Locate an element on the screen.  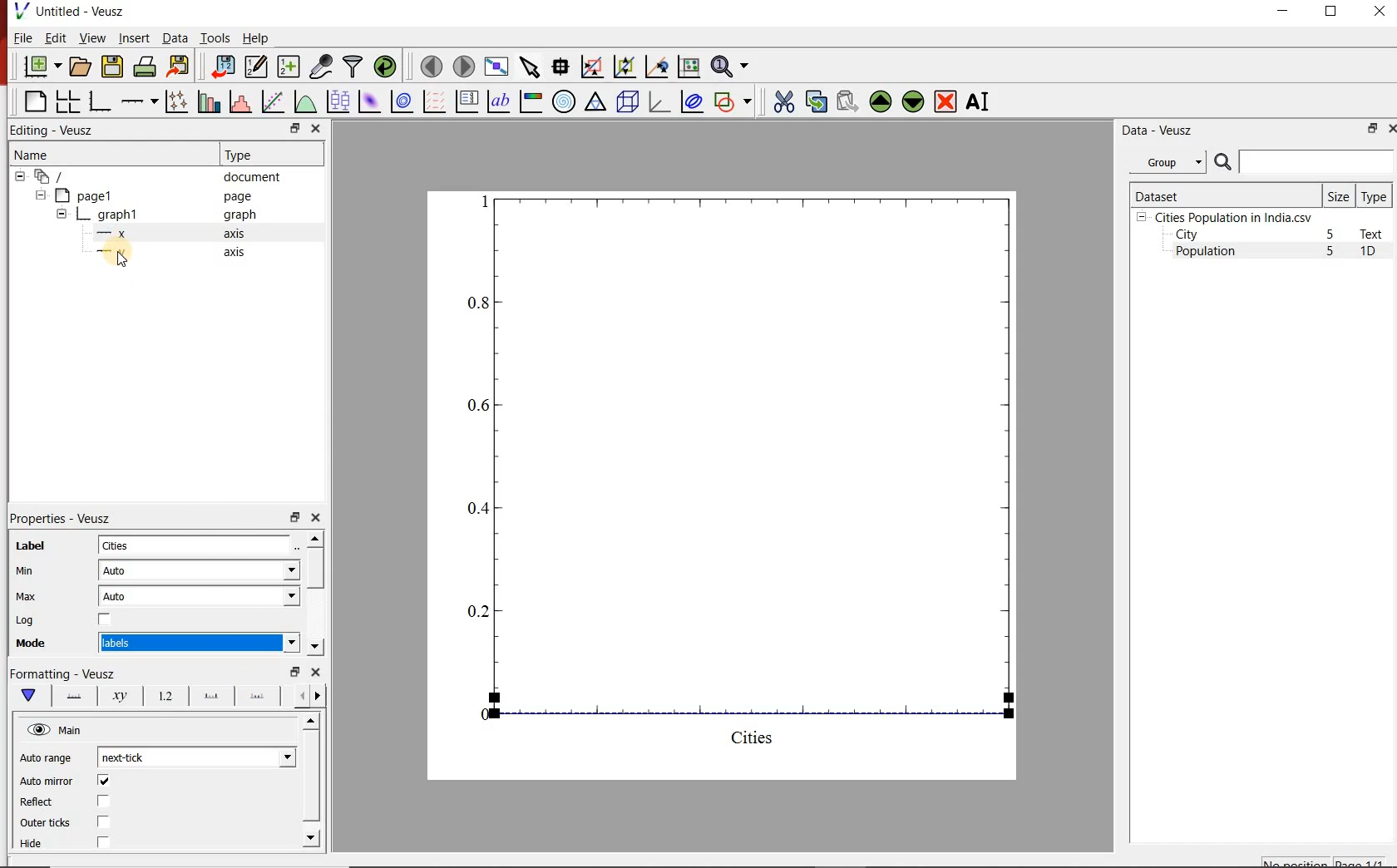
plot a function is located at coordinates (304, 101).